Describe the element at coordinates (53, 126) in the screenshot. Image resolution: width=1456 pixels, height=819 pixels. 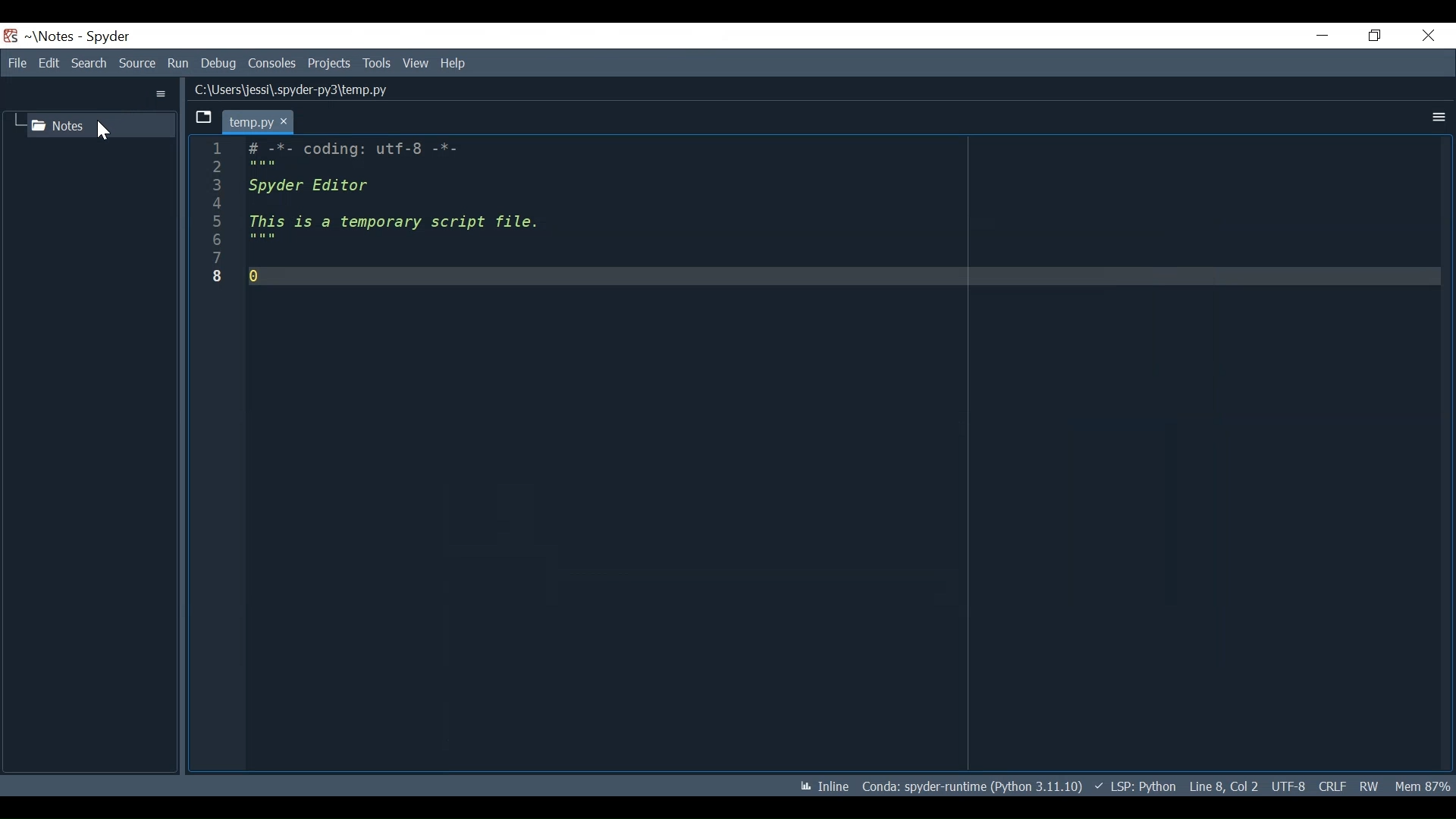
I see ` Notes` at that location.